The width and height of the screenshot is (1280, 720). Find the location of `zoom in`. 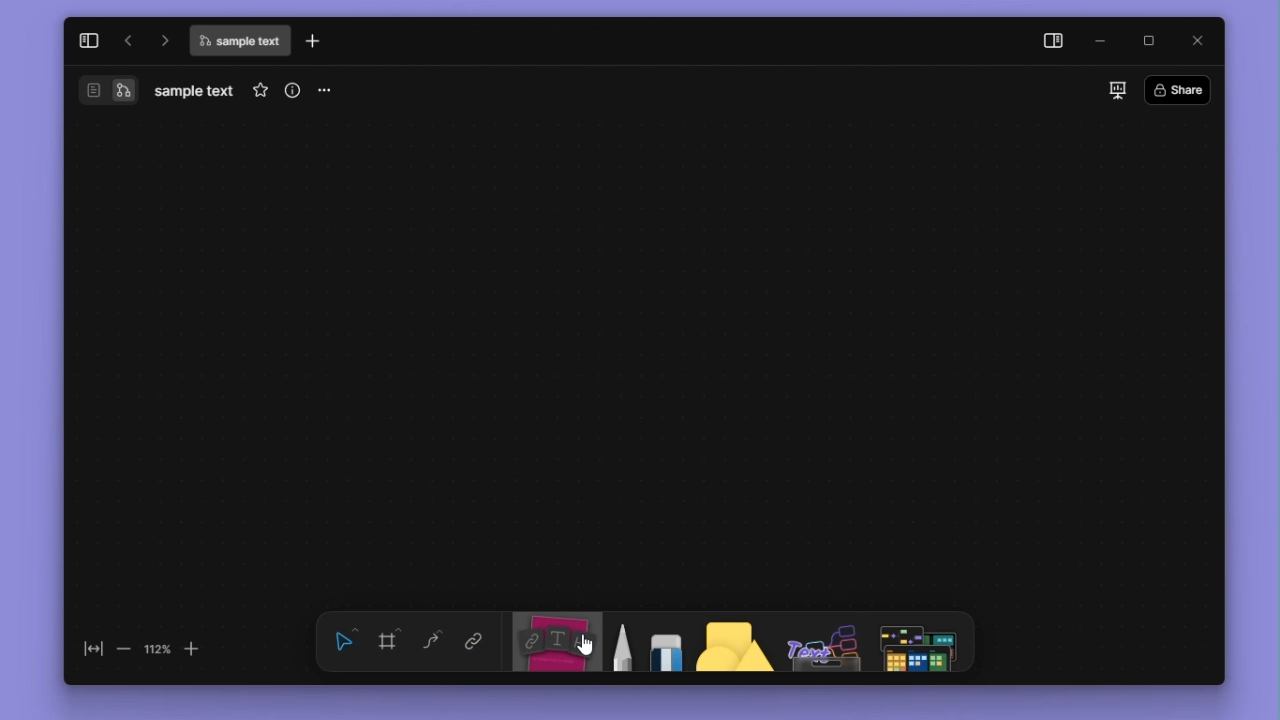

zoom in is located at coordinates (191, 650).